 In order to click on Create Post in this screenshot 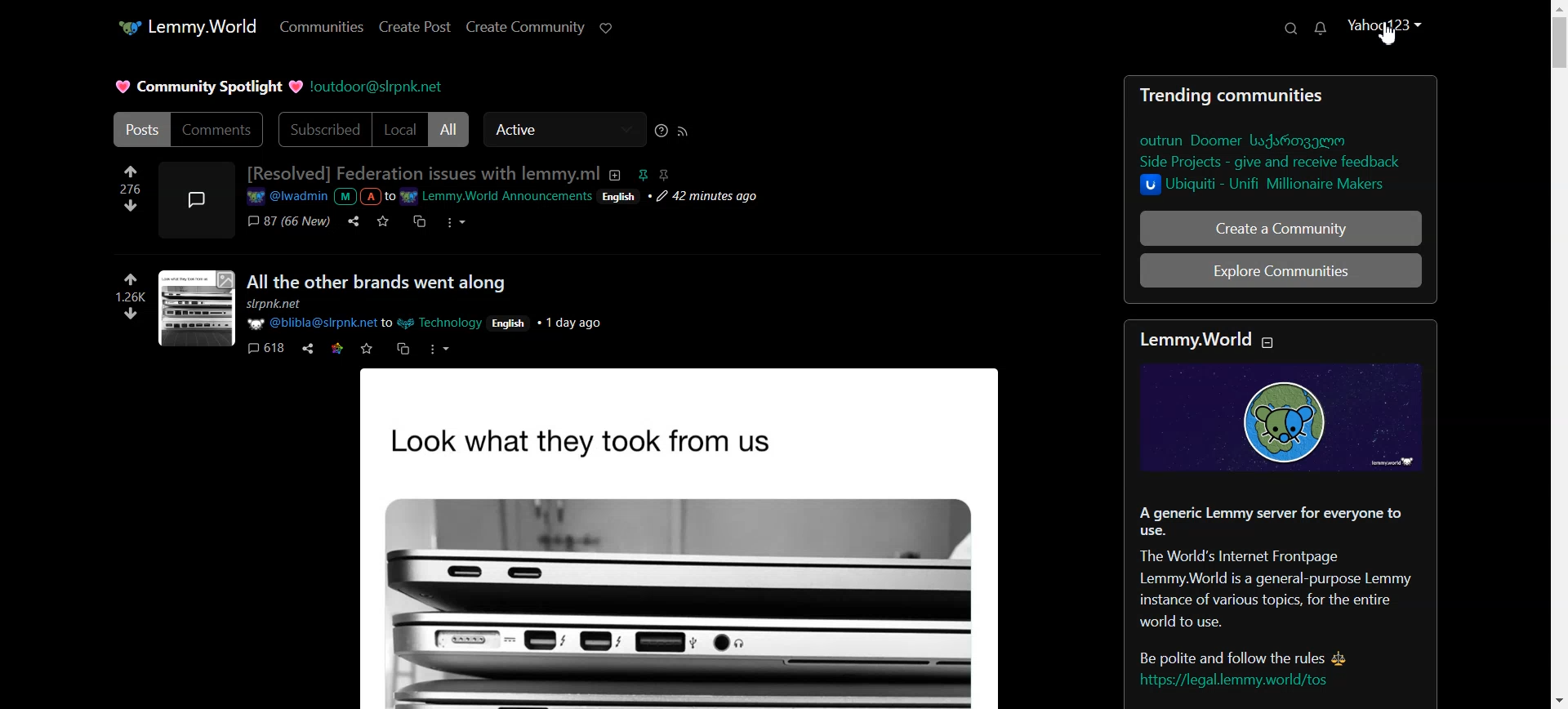, I will do `click(416, 27)`.